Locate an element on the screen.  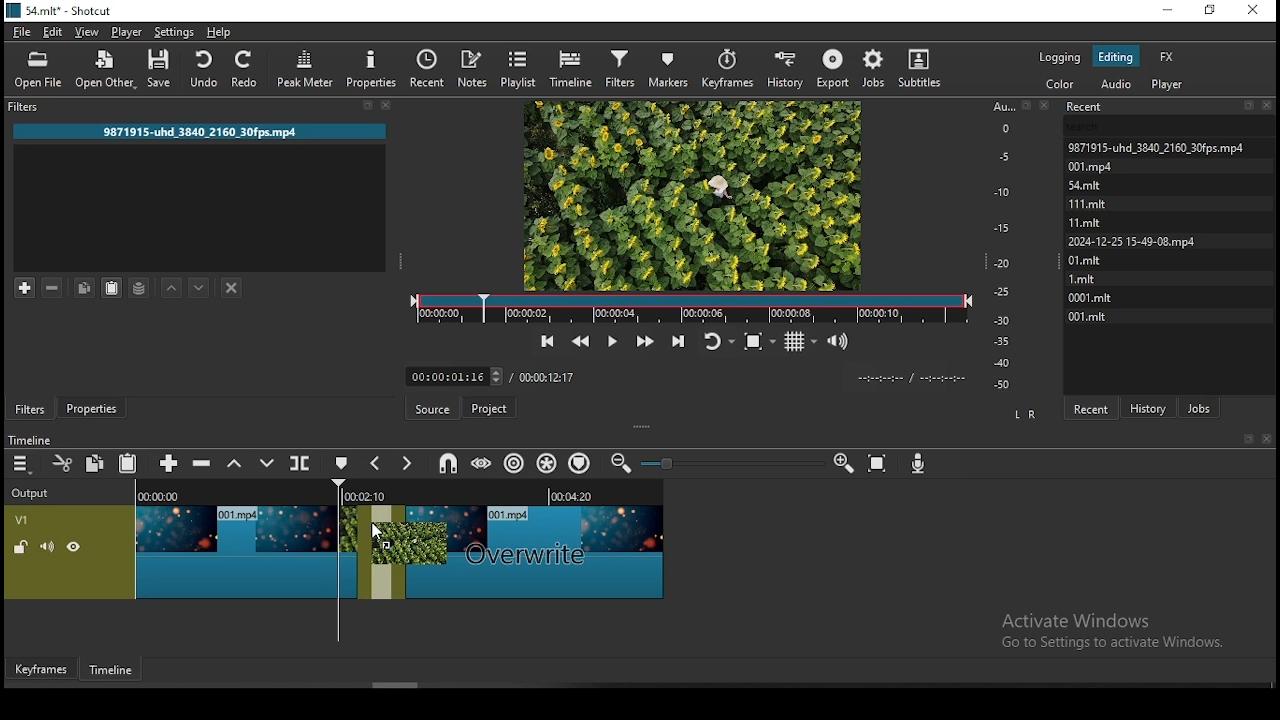
keyframes is located at coordinates (731, 69).